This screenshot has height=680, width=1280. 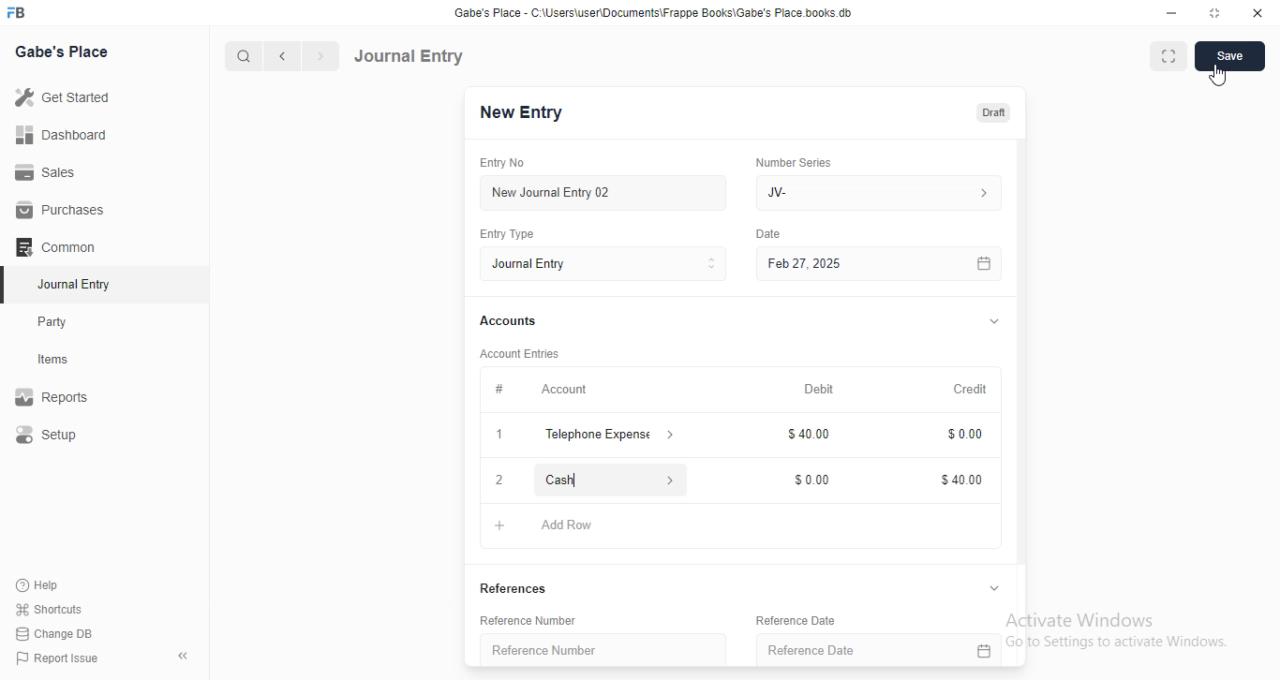 I want to click on Feb 27, 2025, so click(x=883, y=264).